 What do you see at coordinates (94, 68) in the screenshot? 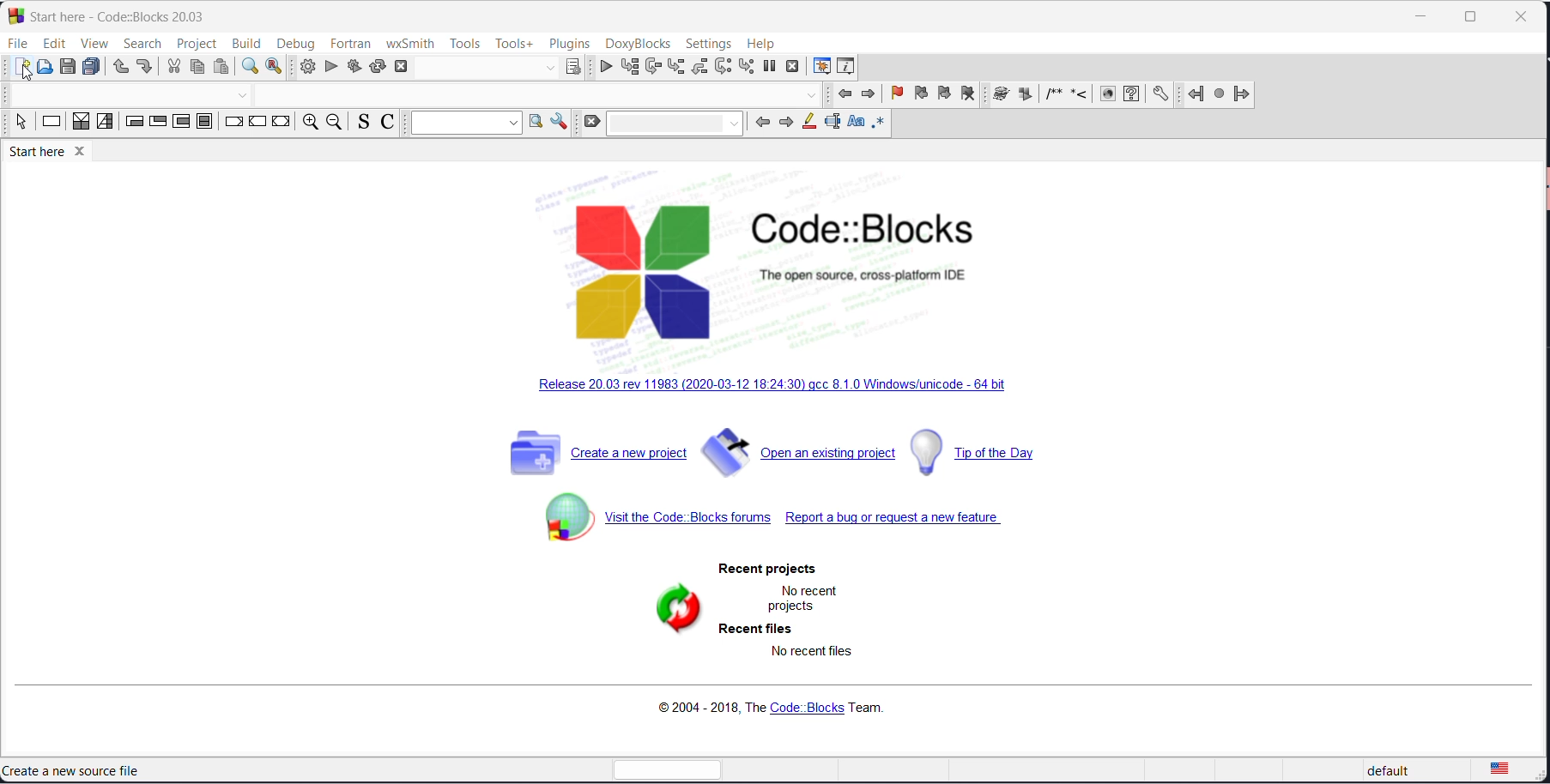
I see `save all` at bounding box center [94, 68].